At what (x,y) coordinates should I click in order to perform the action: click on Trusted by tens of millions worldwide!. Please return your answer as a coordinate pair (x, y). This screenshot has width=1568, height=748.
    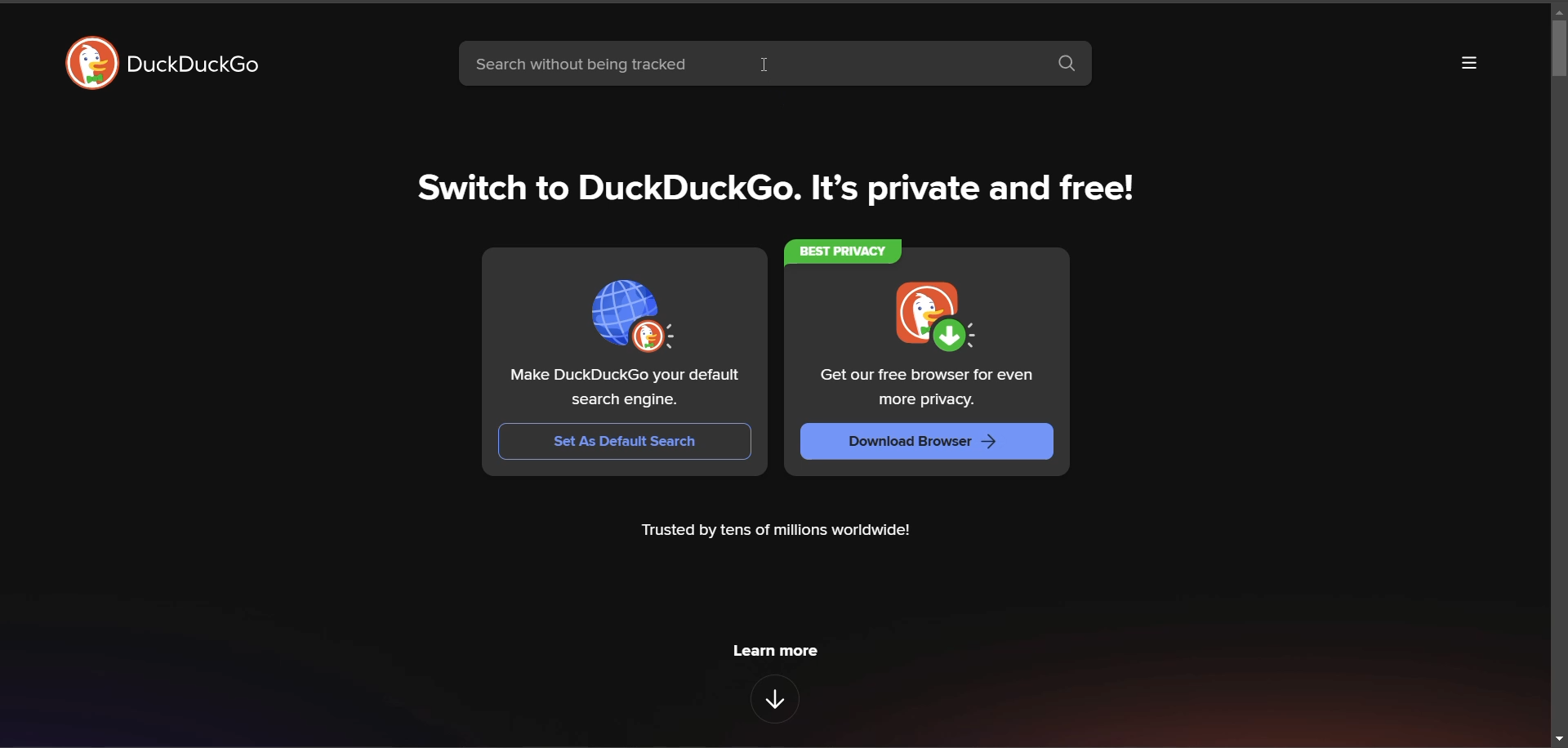
    Looking at the image, I should click on (786, 534).